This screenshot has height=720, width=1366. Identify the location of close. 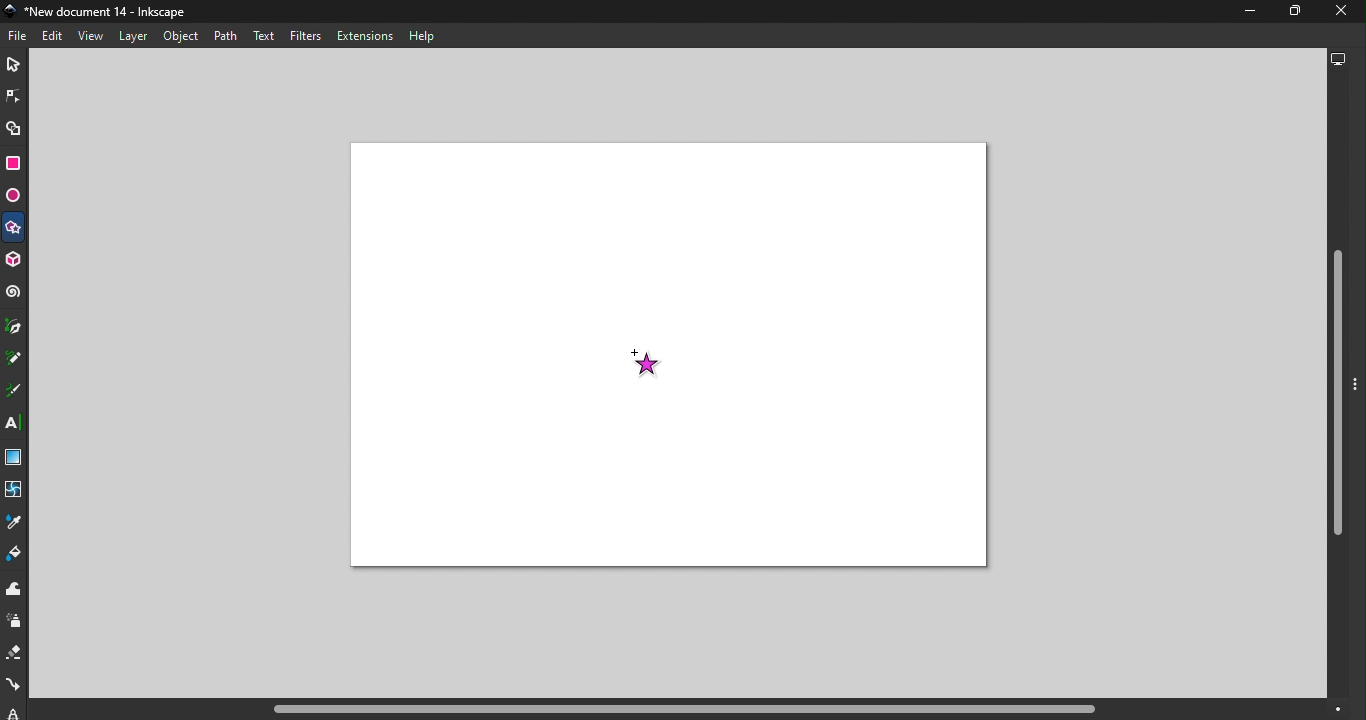
(1336, 12).